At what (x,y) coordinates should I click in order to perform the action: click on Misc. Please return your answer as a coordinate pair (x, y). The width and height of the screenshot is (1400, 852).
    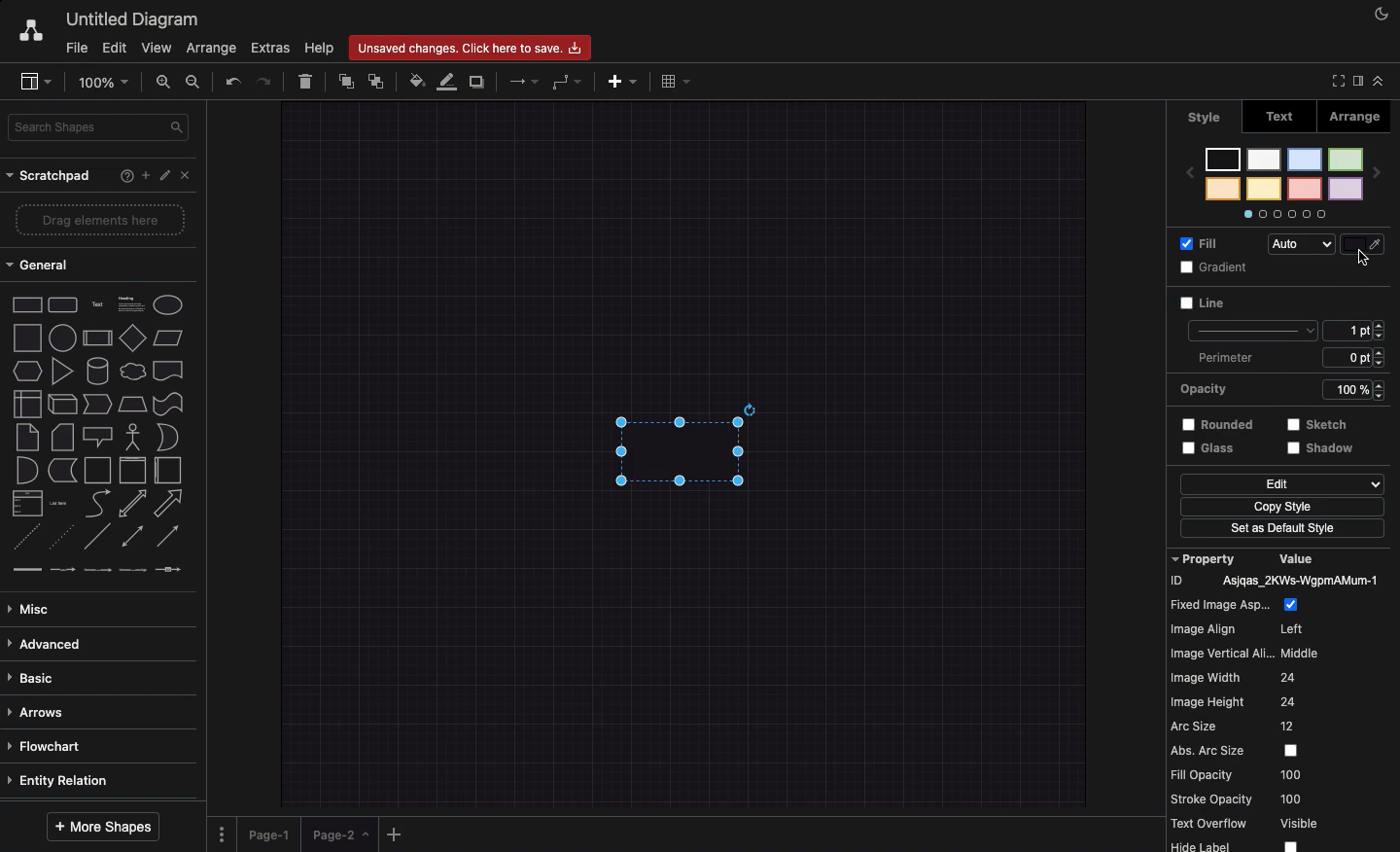
    Looking at the image, I should click on (34, 604).